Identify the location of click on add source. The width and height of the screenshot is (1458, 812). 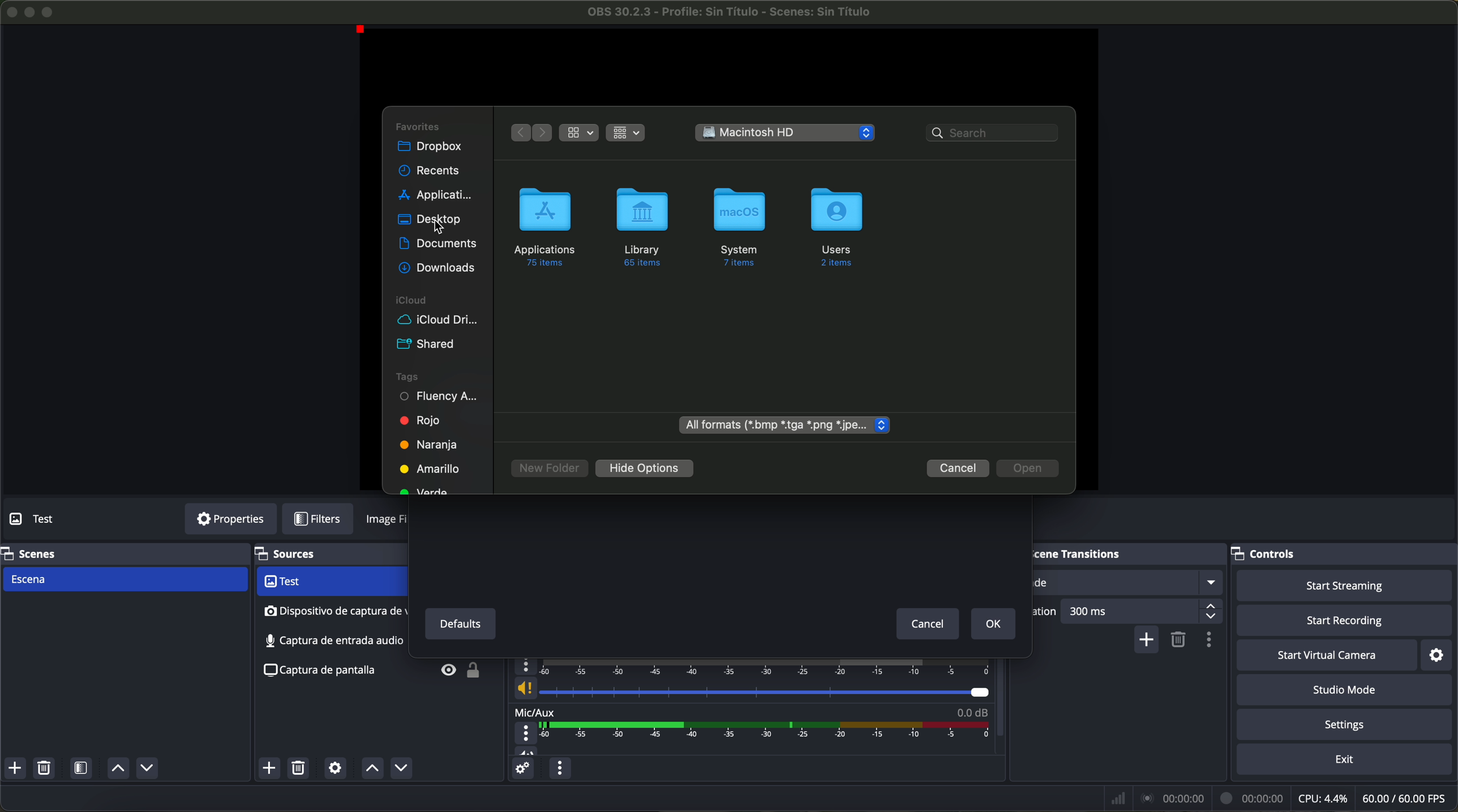
(272, 769).